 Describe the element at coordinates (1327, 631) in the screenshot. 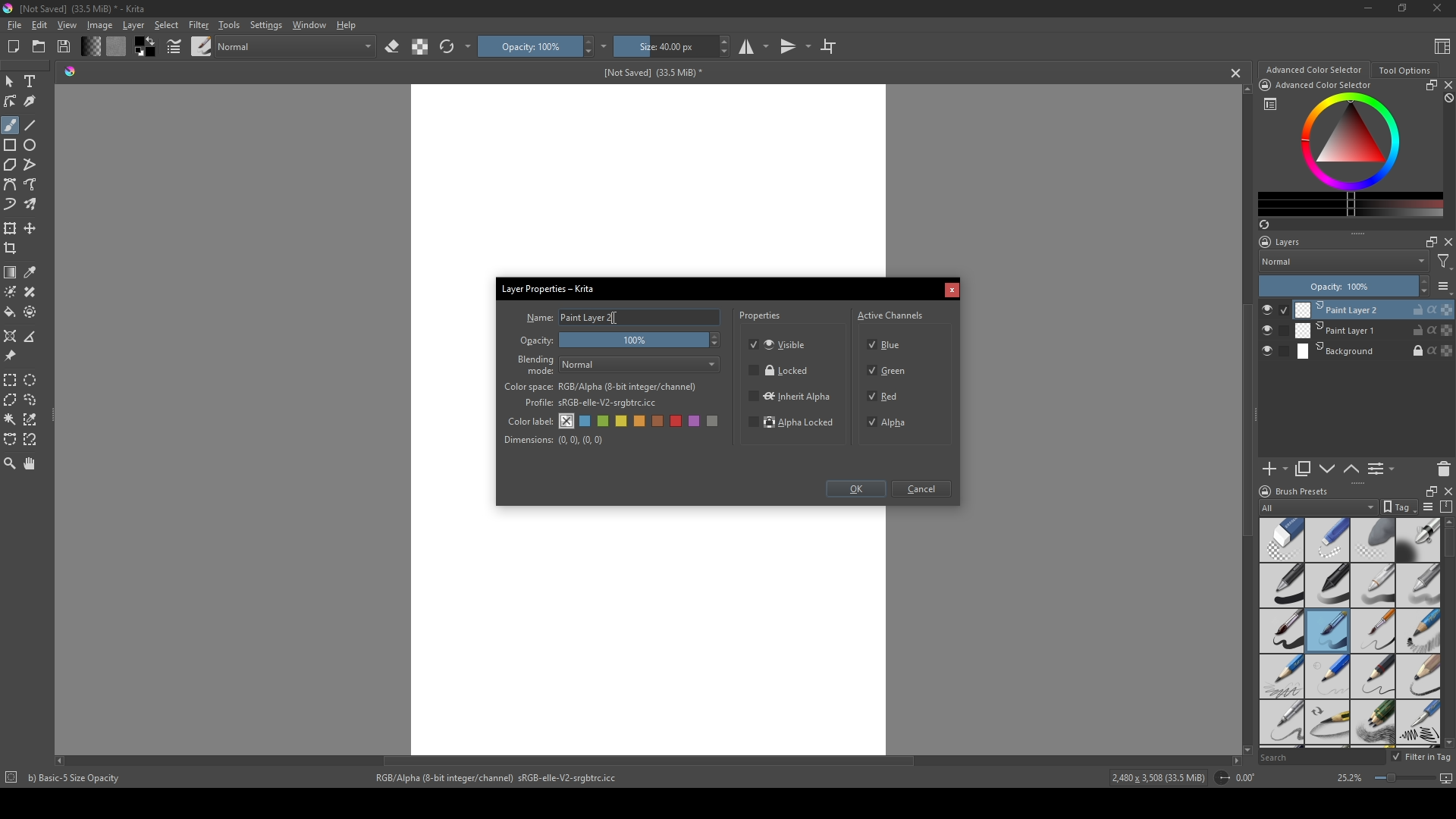

I see `medium brush` at that location.